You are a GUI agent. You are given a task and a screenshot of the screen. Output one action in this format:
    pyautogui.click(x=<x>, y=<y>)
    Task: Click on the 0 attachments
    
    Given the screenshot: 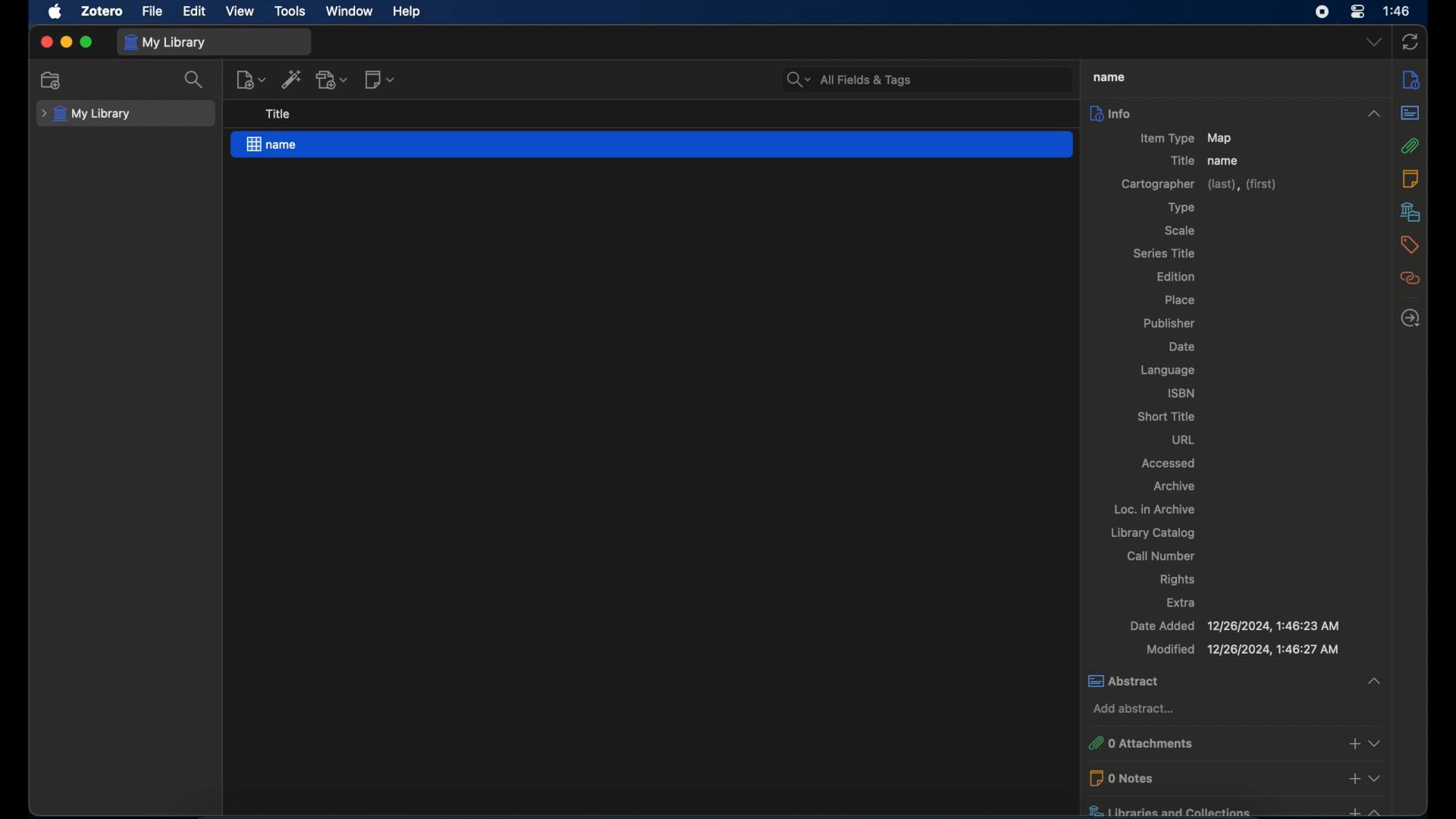 What is the action you would take?
    pyautogui.click(x=1195, y=742)
    